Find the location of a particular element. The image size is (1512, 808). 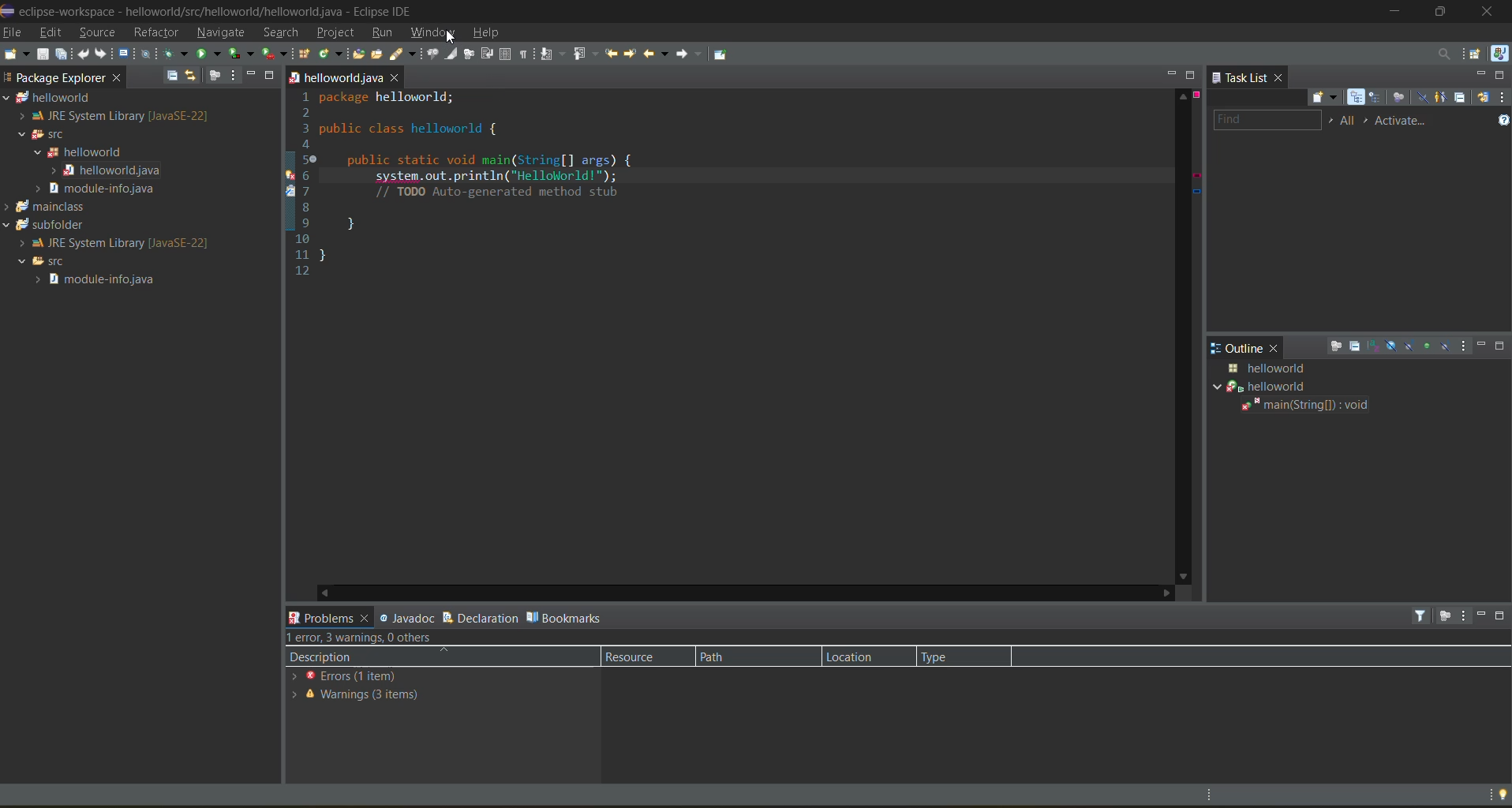

java is located at coordinates (1499, 55).